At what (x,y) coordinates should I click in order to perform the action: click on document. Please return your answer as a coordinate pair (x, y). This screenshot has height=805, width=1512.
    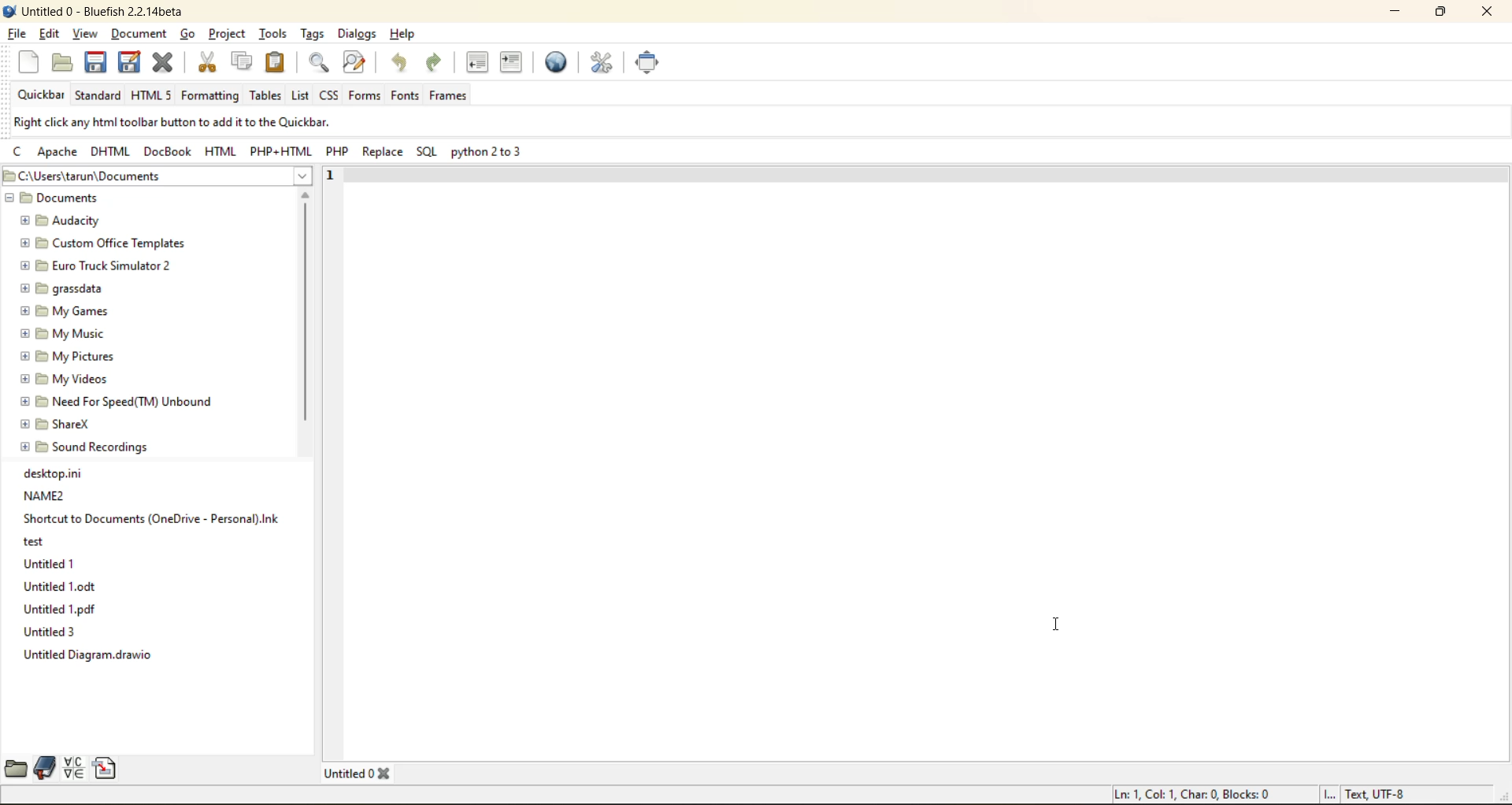
    Looking at the image, I should click on (141, 36).